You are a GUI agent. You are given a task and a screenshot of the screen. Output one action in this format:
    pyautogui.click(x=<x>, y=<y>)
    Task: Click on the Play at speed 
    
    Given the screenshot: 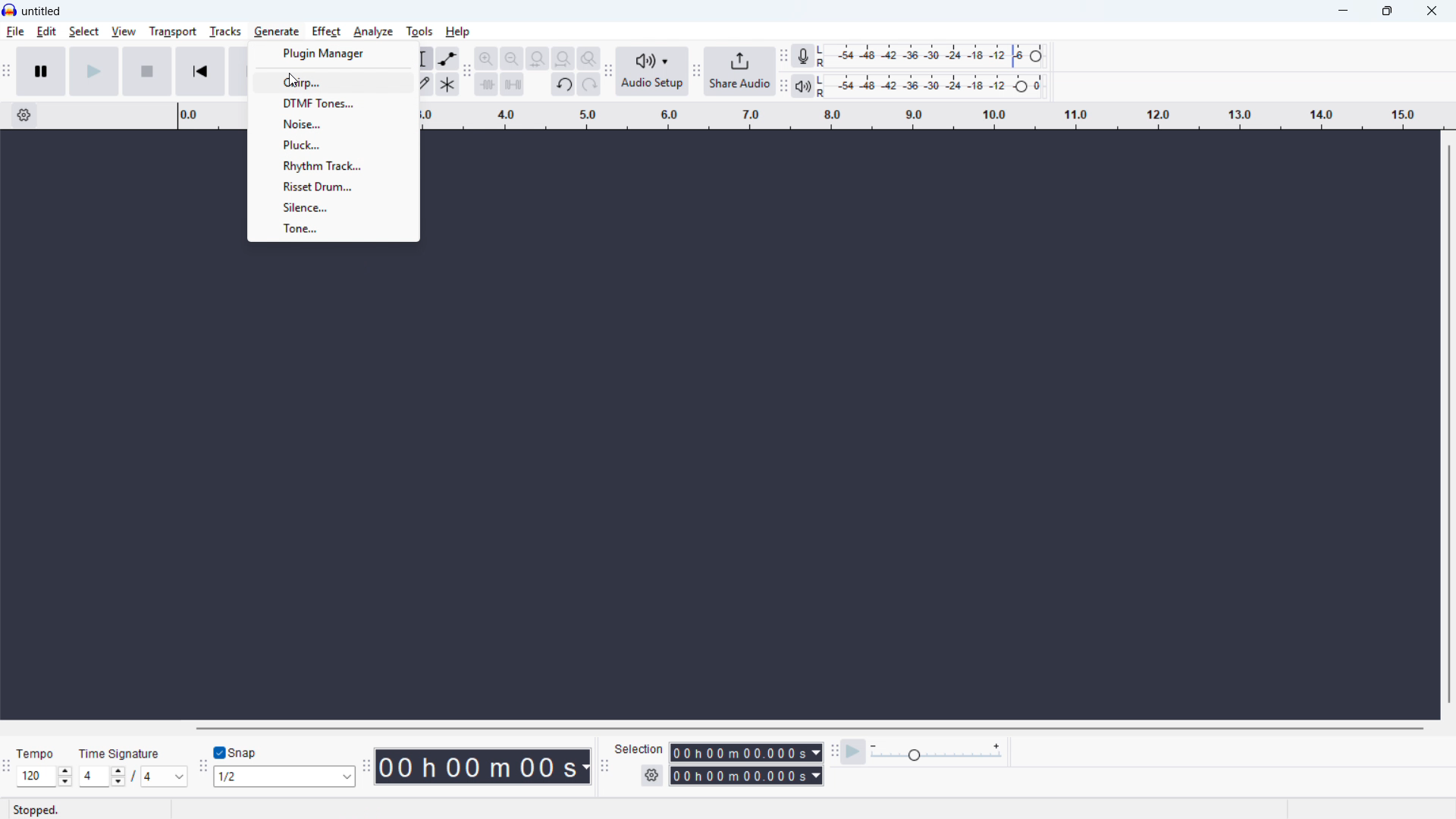 What is the action you would take?
    pyautogui.click(x=854, y=751)
    